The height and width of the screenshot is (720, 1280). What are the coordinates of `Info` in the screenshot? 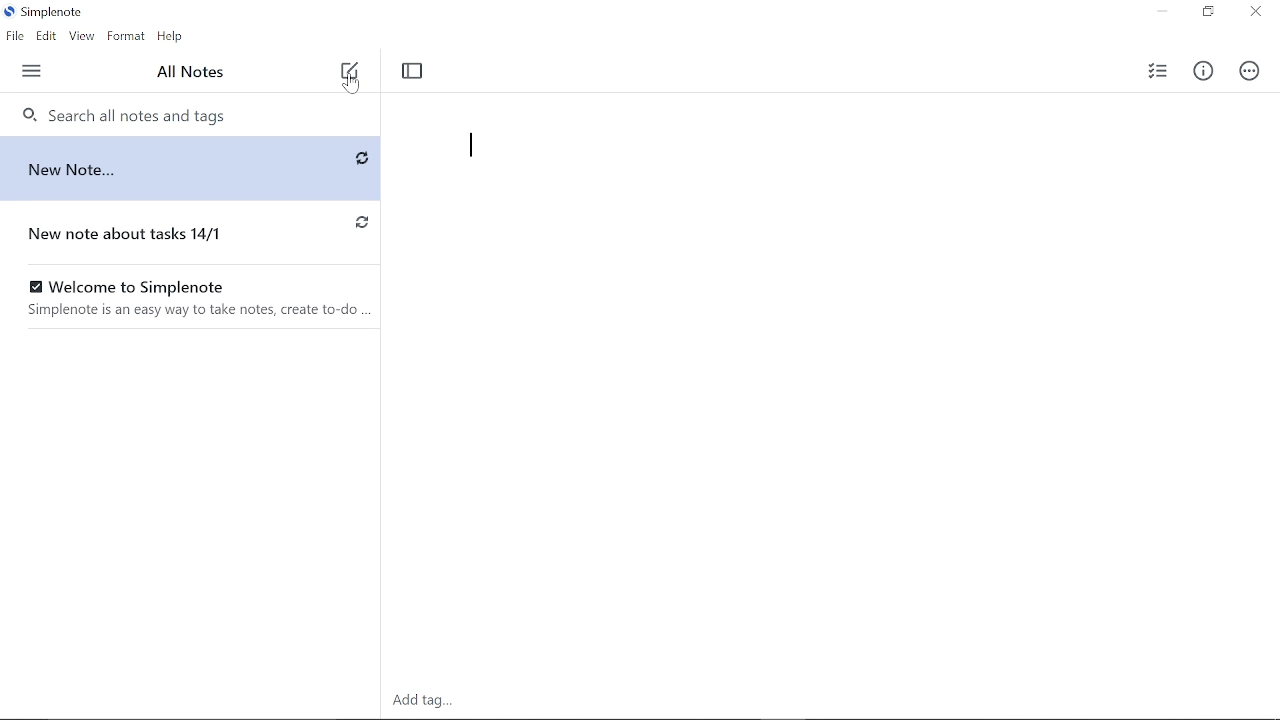 It's located at (1203, 73).